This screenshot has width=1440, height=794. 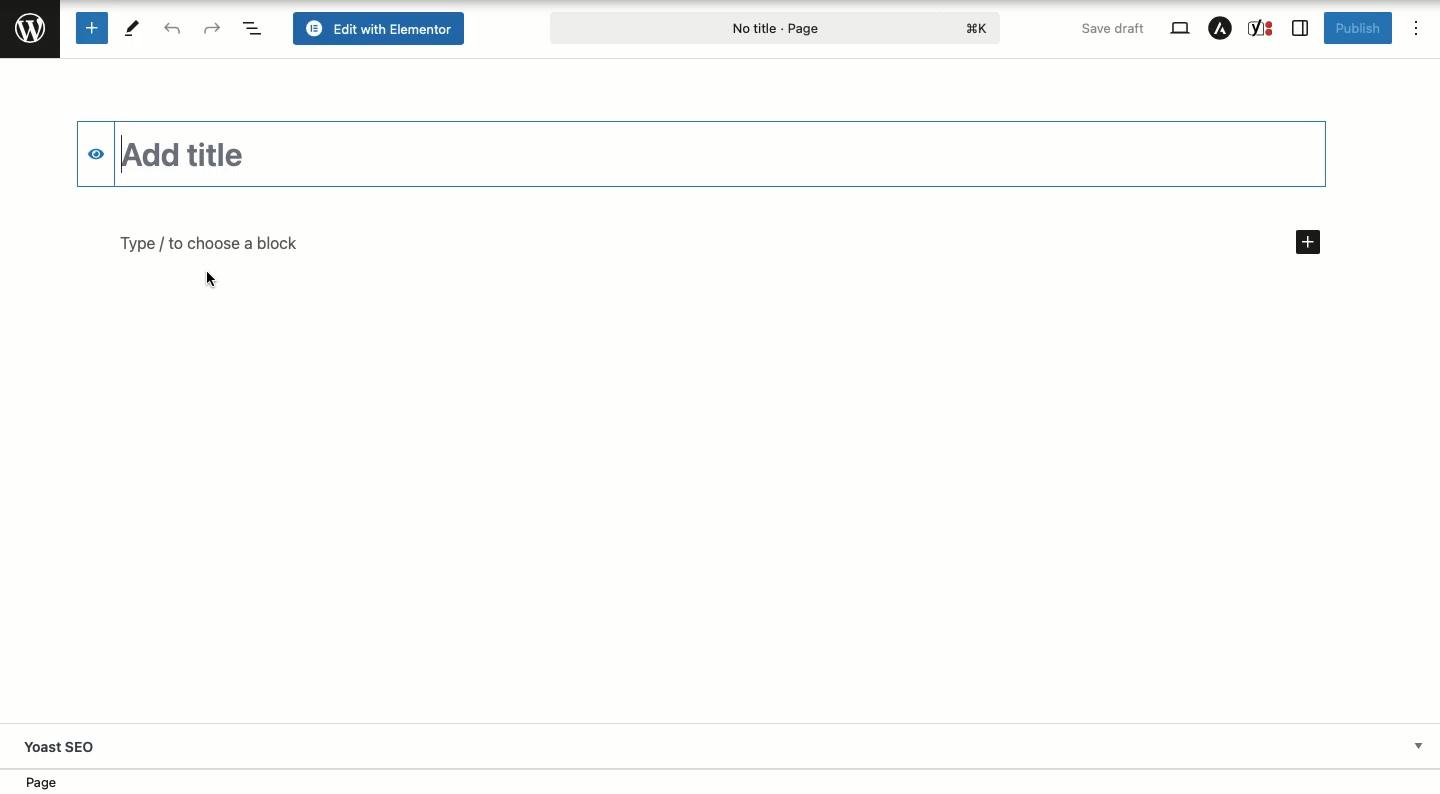 What do you see at coordinates (379, 27) in the screenshot?
I see `Edit with elementor` at bounding box center [379, 27].